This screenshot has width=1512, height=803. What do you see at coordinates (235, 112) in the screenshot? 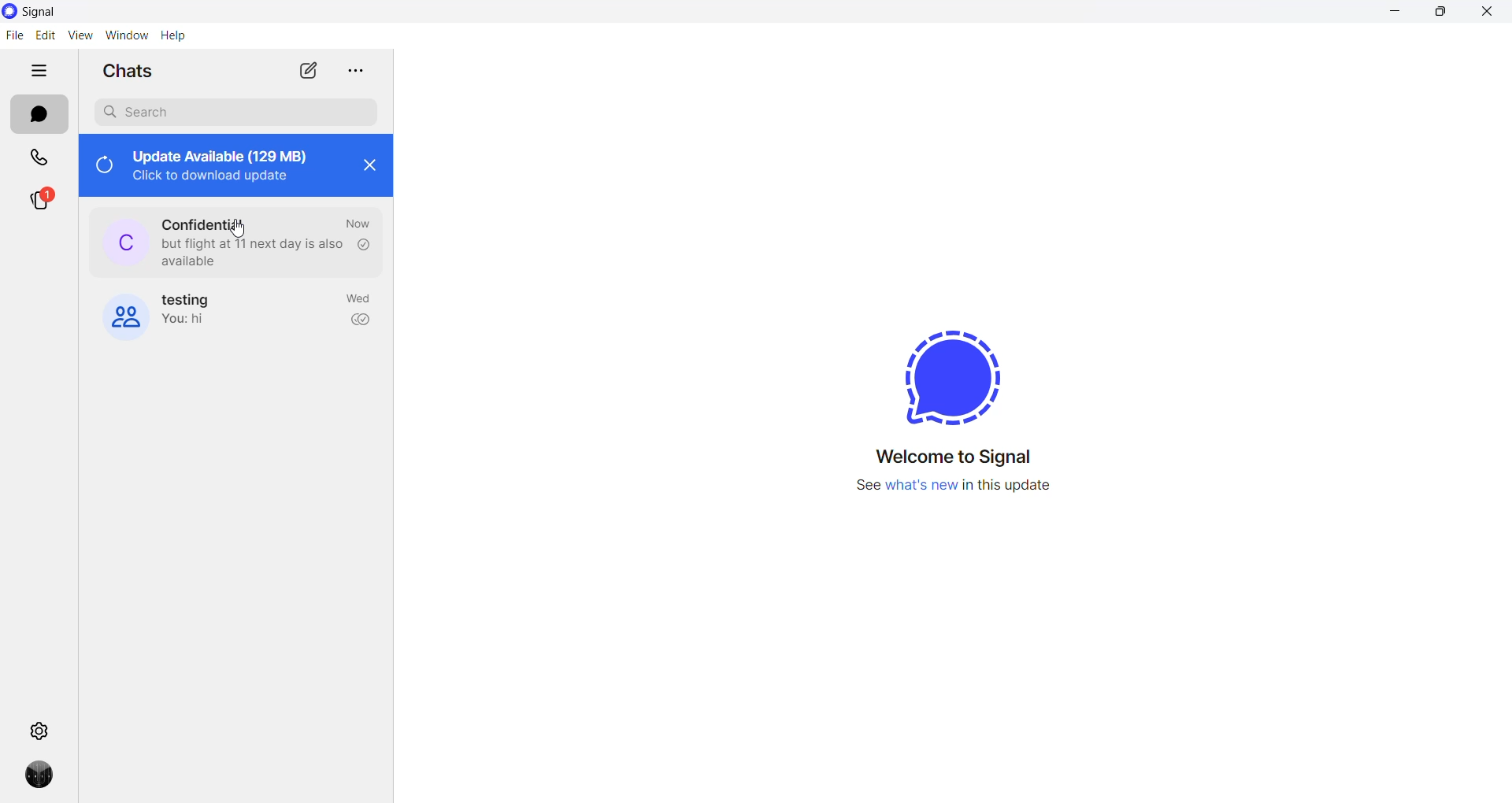
I see `search chat` at bounding box center [235, 112].